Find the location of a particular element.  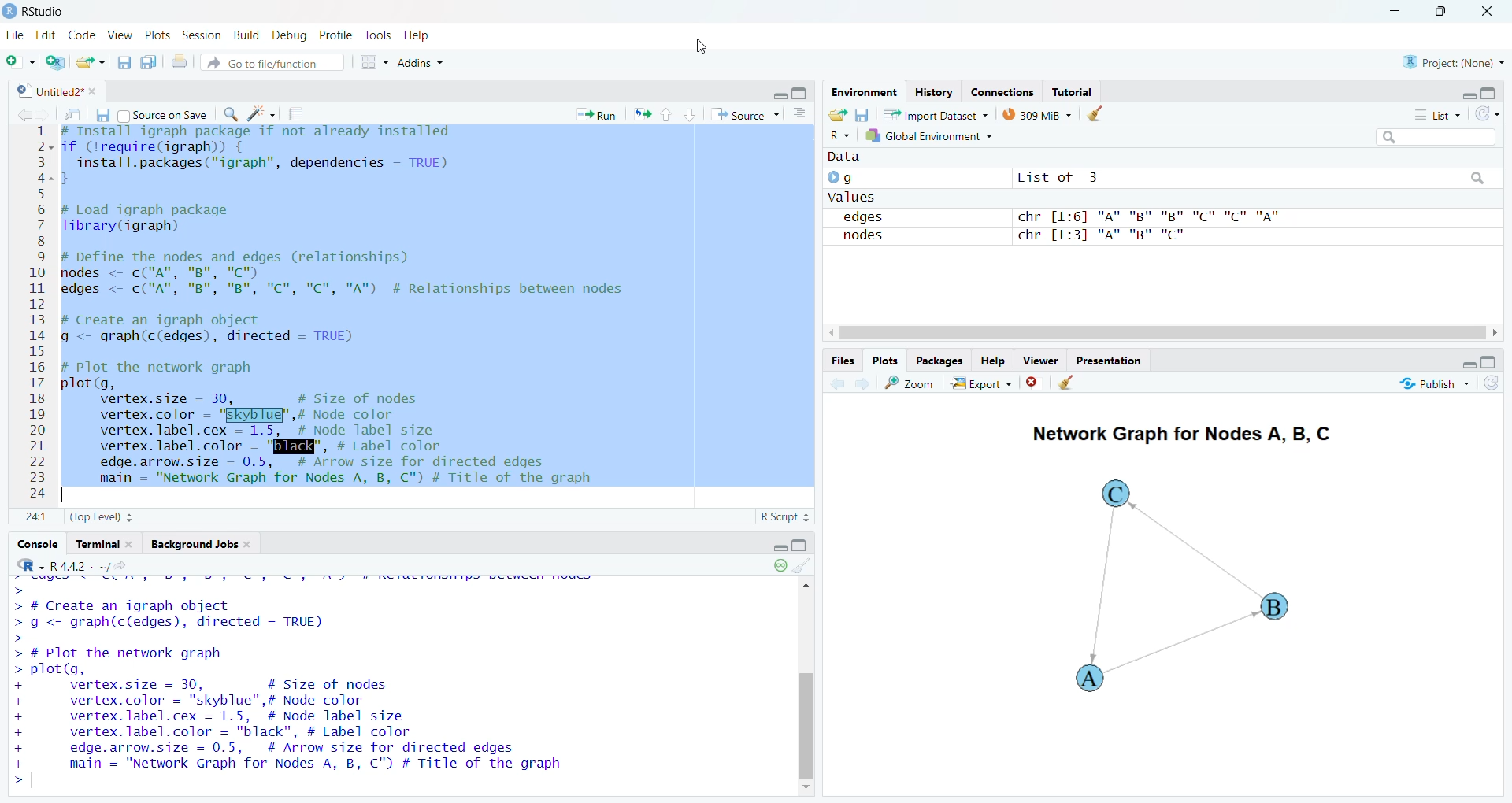

Go to file/function is located at coordinates (265, 65).